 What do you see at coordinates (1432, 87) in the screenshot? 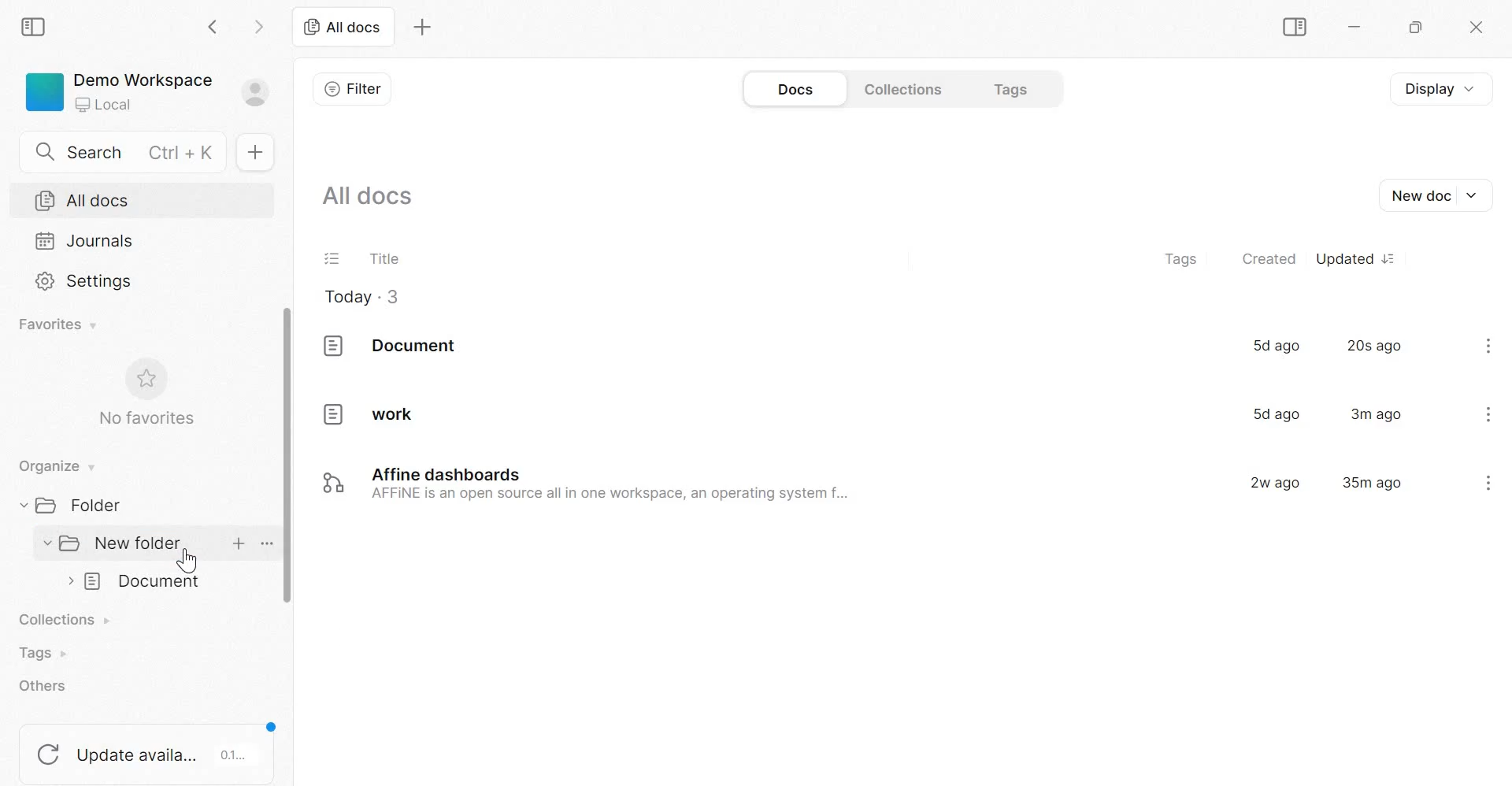
I see `Display` at bounding box center [1432, 87].